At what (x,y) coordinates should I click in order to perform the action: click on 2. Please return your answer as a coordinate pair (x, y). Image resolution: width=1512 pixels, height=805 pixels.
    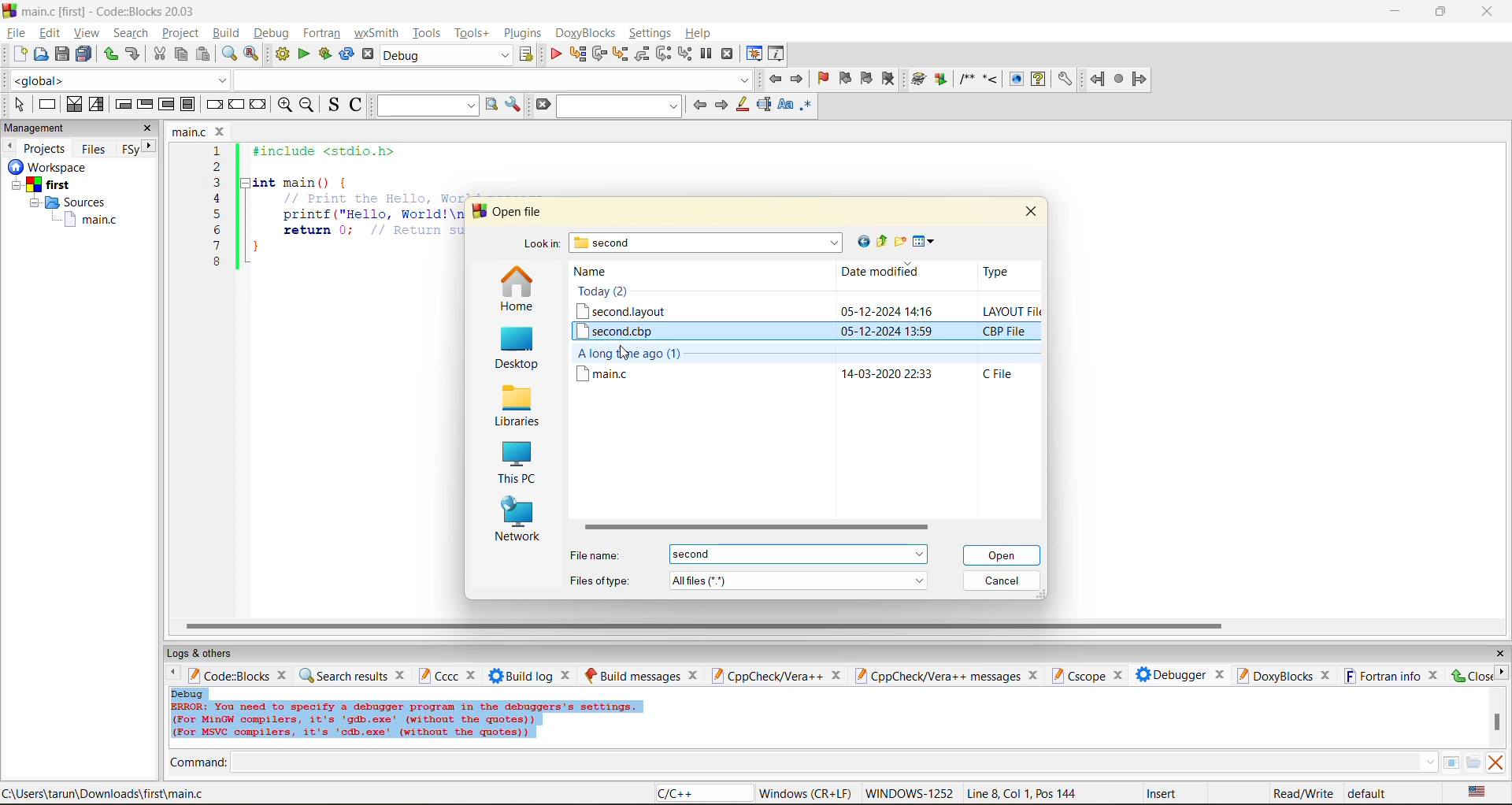
    Looking at the image, I should click on (217, 167).